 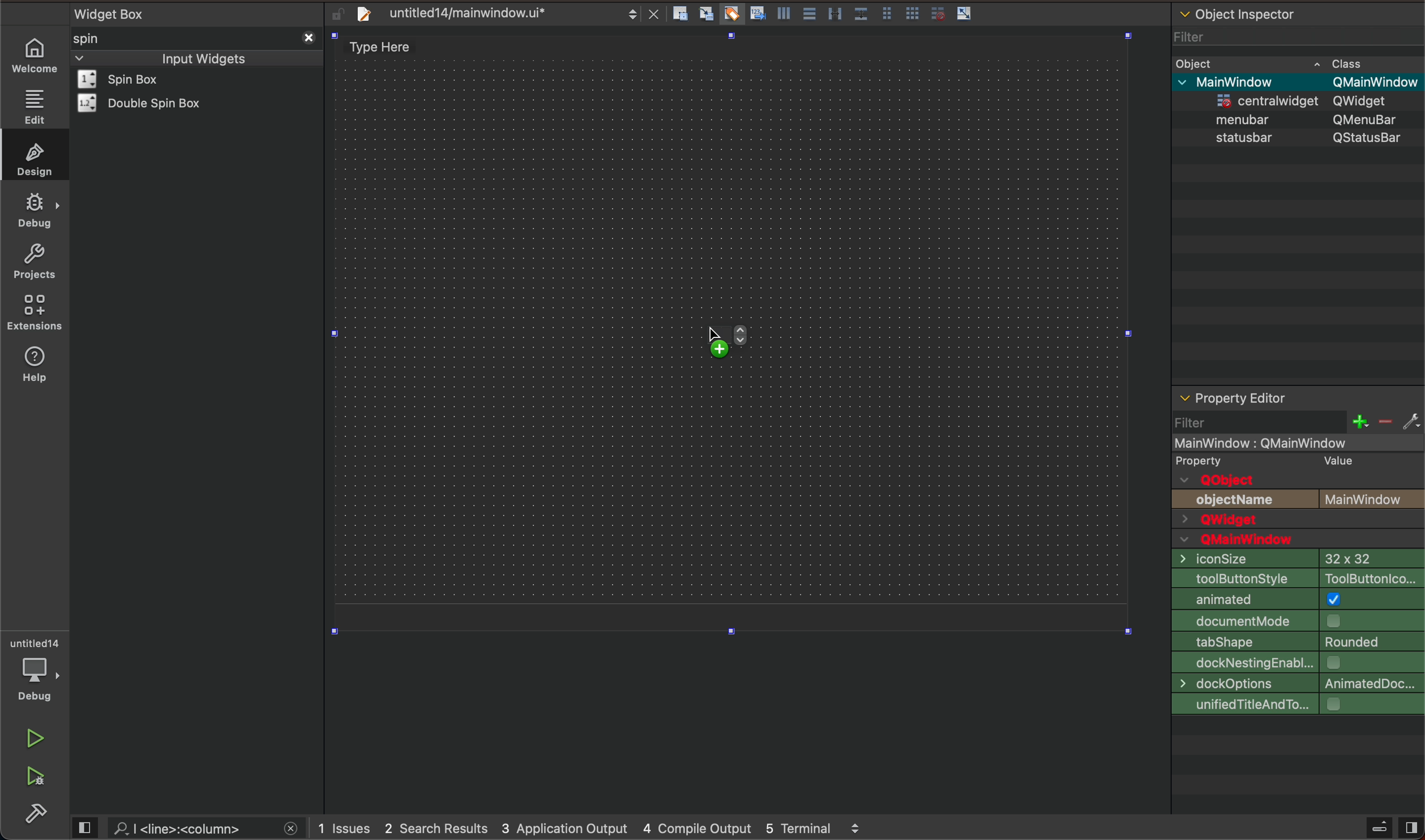 What do you see at coordinates (38, 814) in the screenshot?
I see `build` at bounding box center [38, 814].